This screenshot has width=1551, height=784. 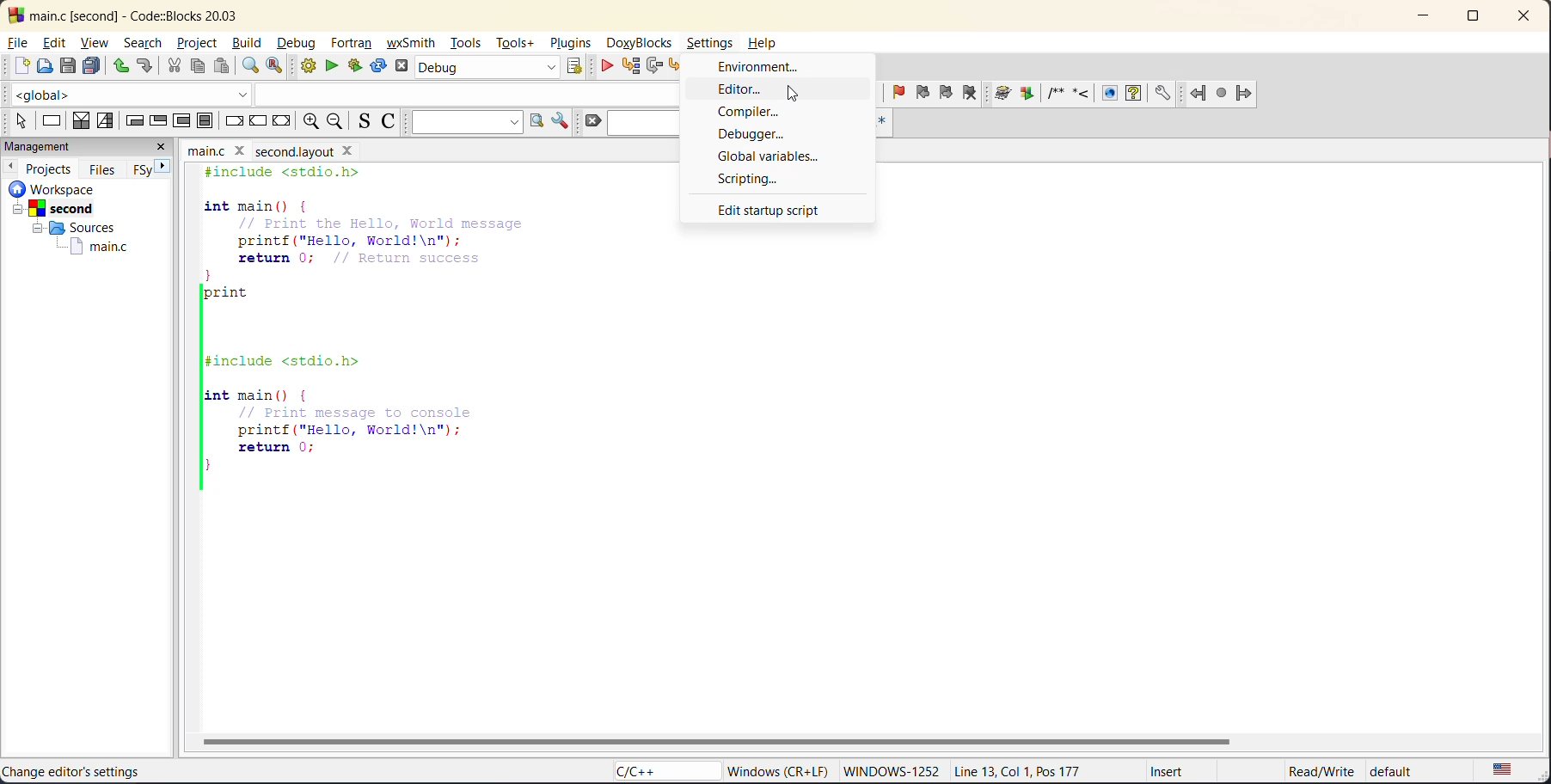 I want to click on save everything, so click(x=94, y=65).